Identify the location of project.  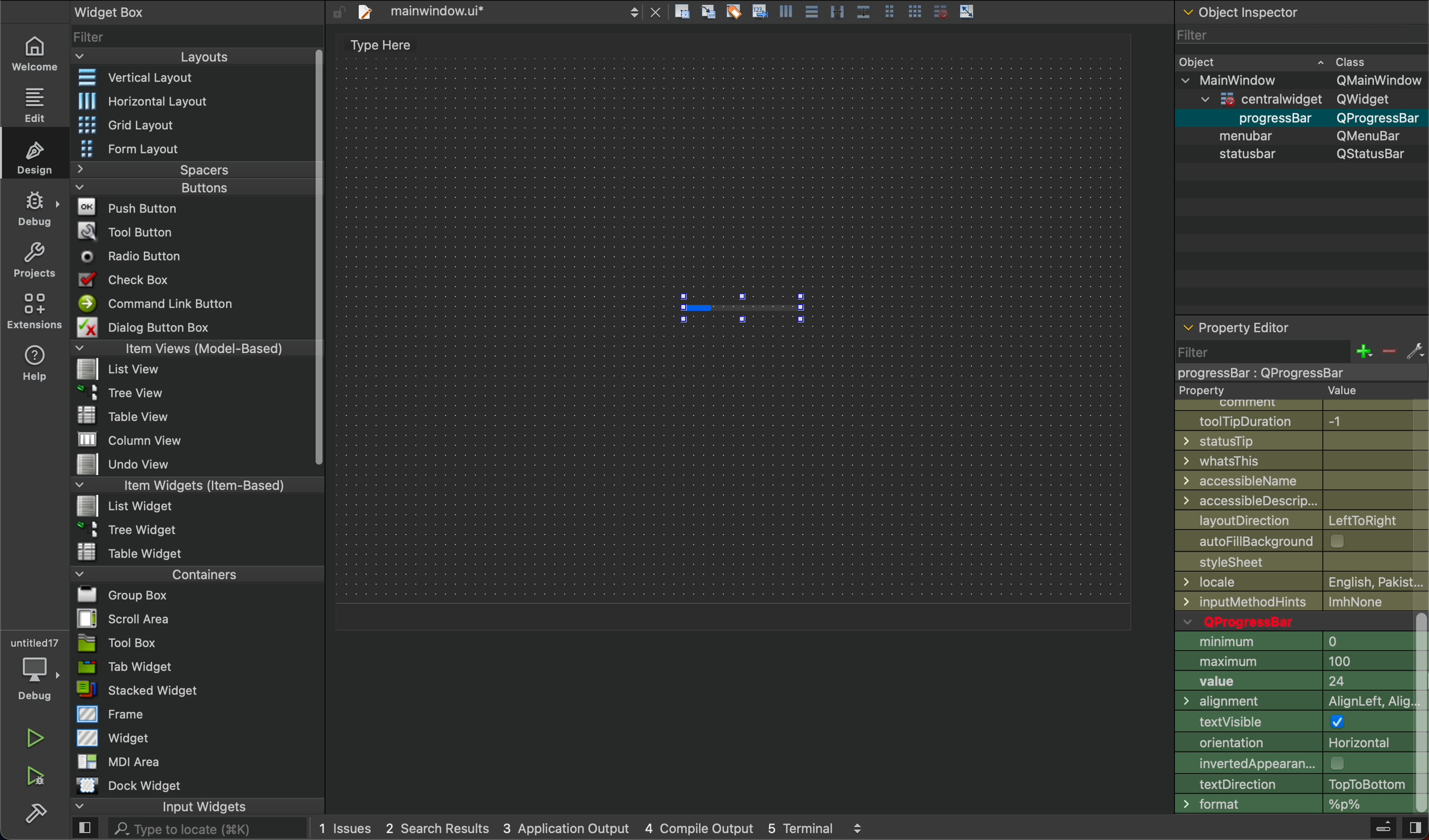
(36, 260).